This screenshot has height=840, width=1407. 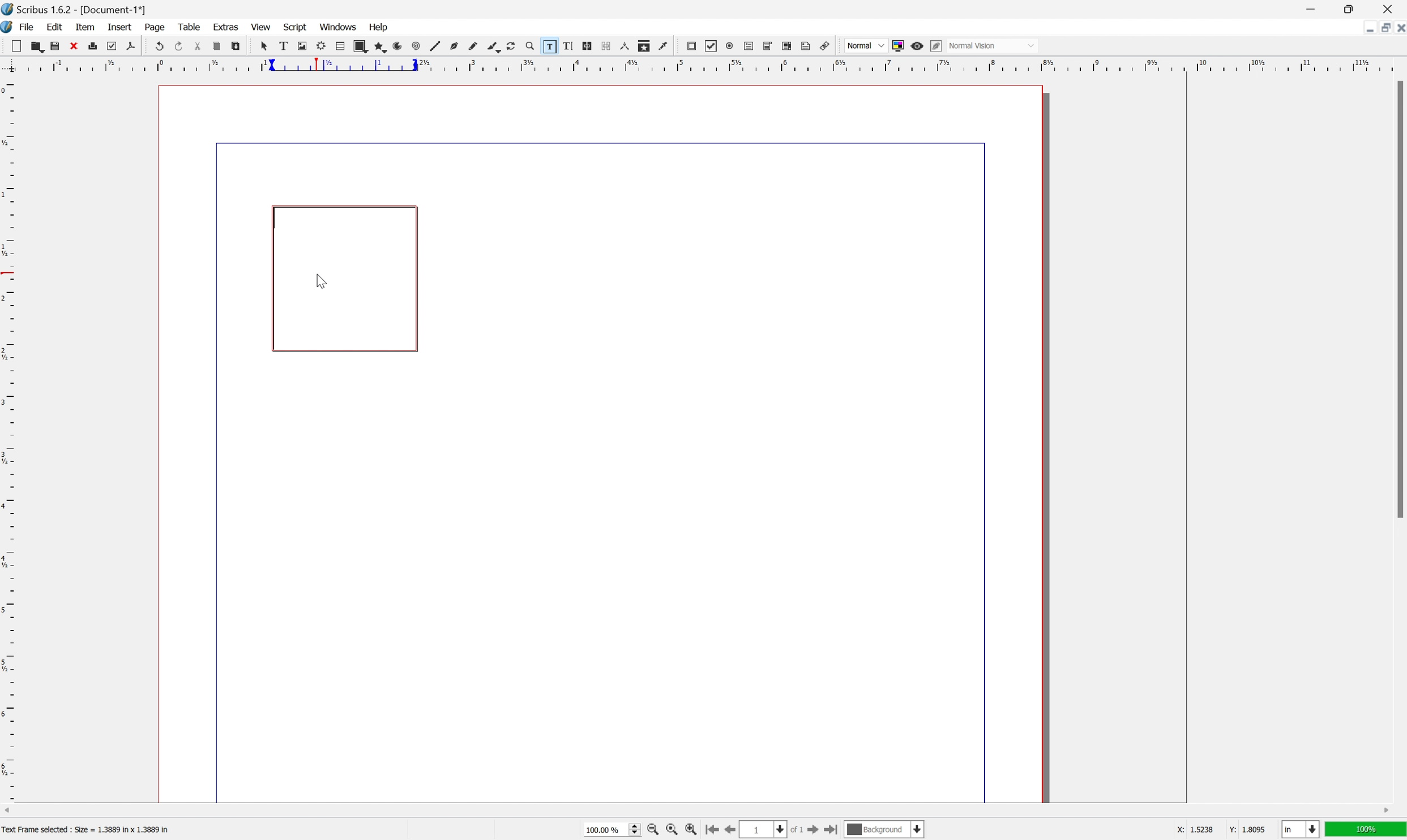 What do you see at coordinates (296, 26) in the screenshot?
I see `script` at bounding box center [296, 26].